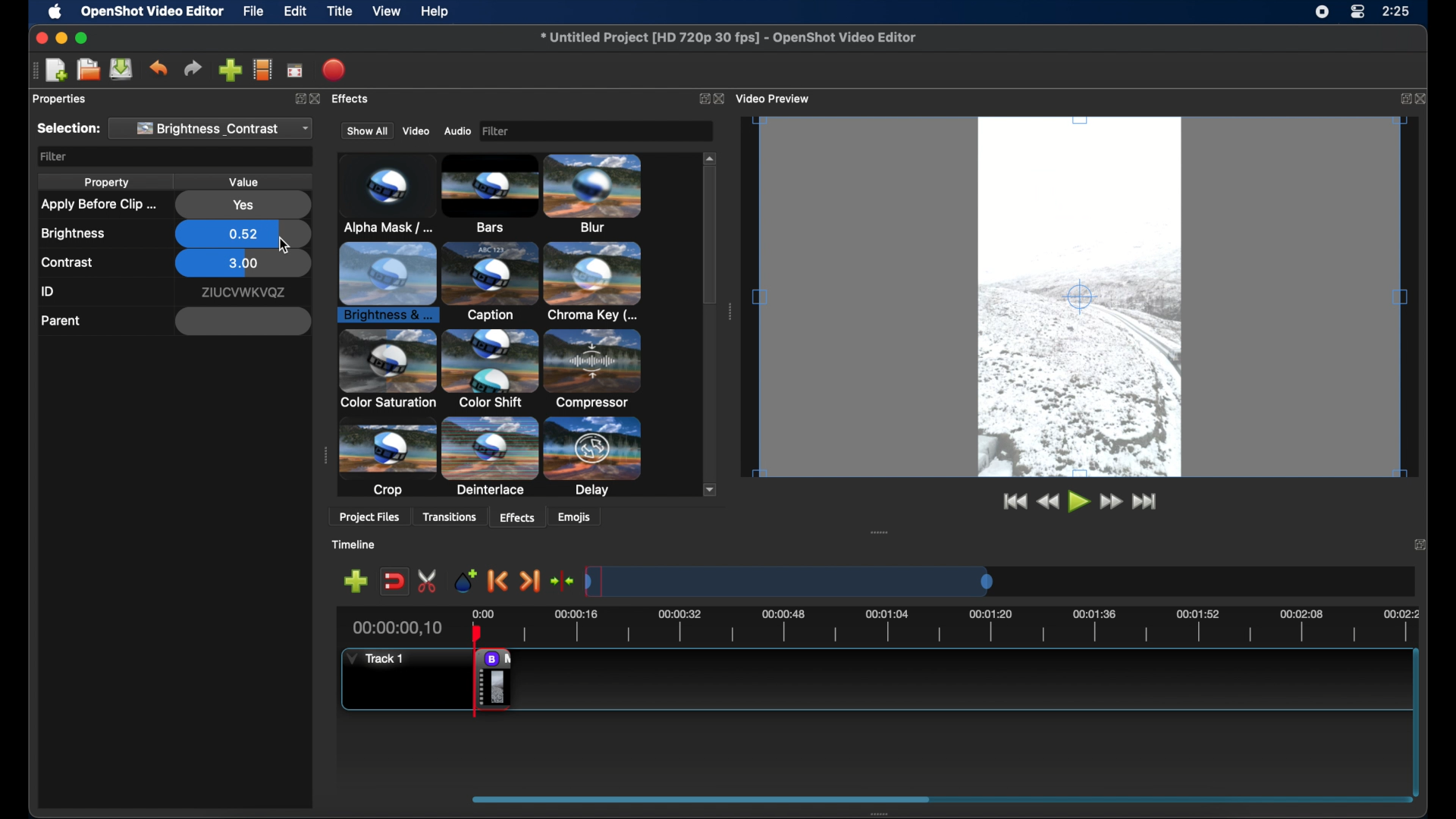 Image resolution: width=1456 pixels, height=819 pixels. Describe the element at coordinates (295, 71) in the screenshot. I see `full screen` at that location.